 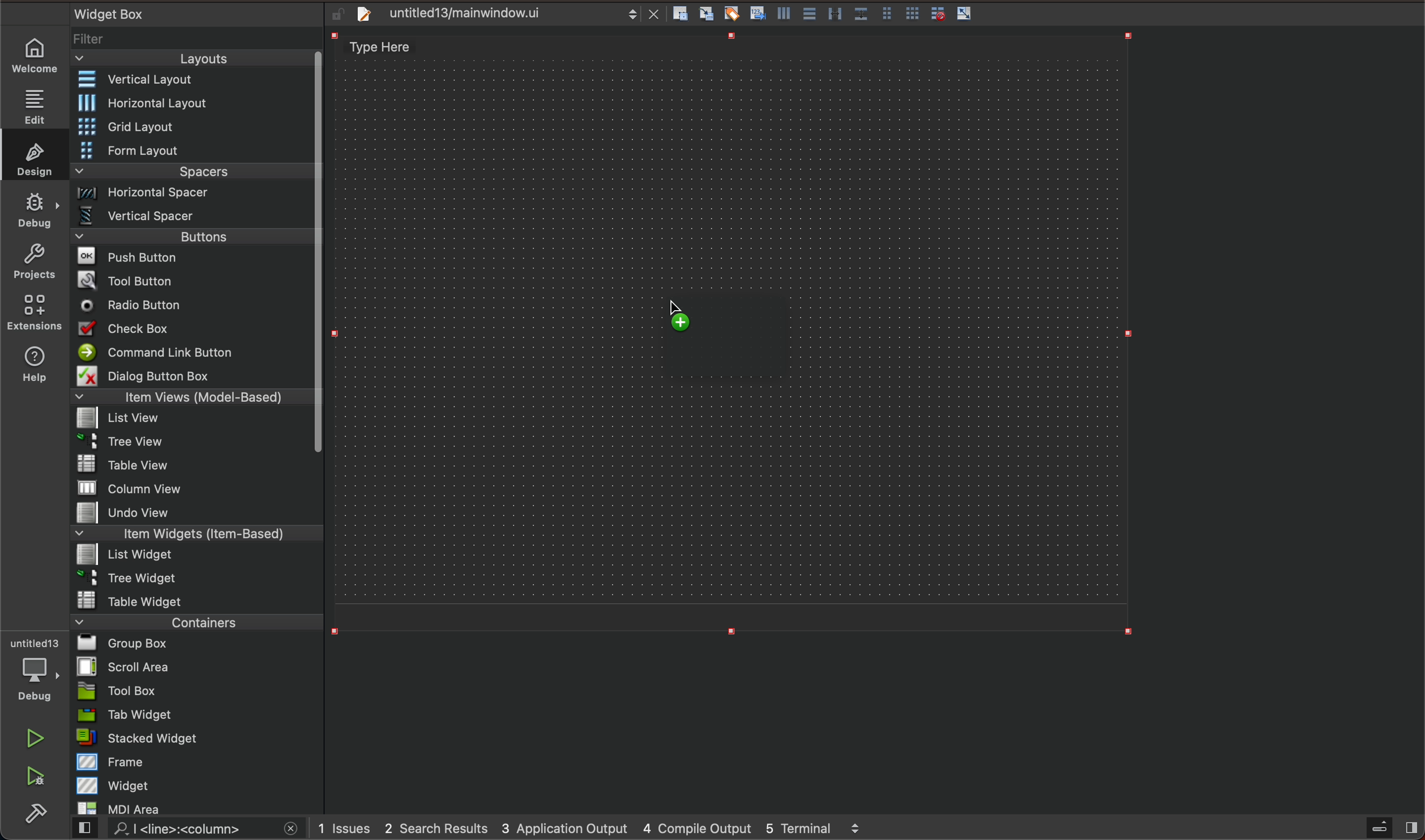 What do you see at coordinates (191, 419) in the screenshot?
I see `list view` at bounding box center [191, 419].